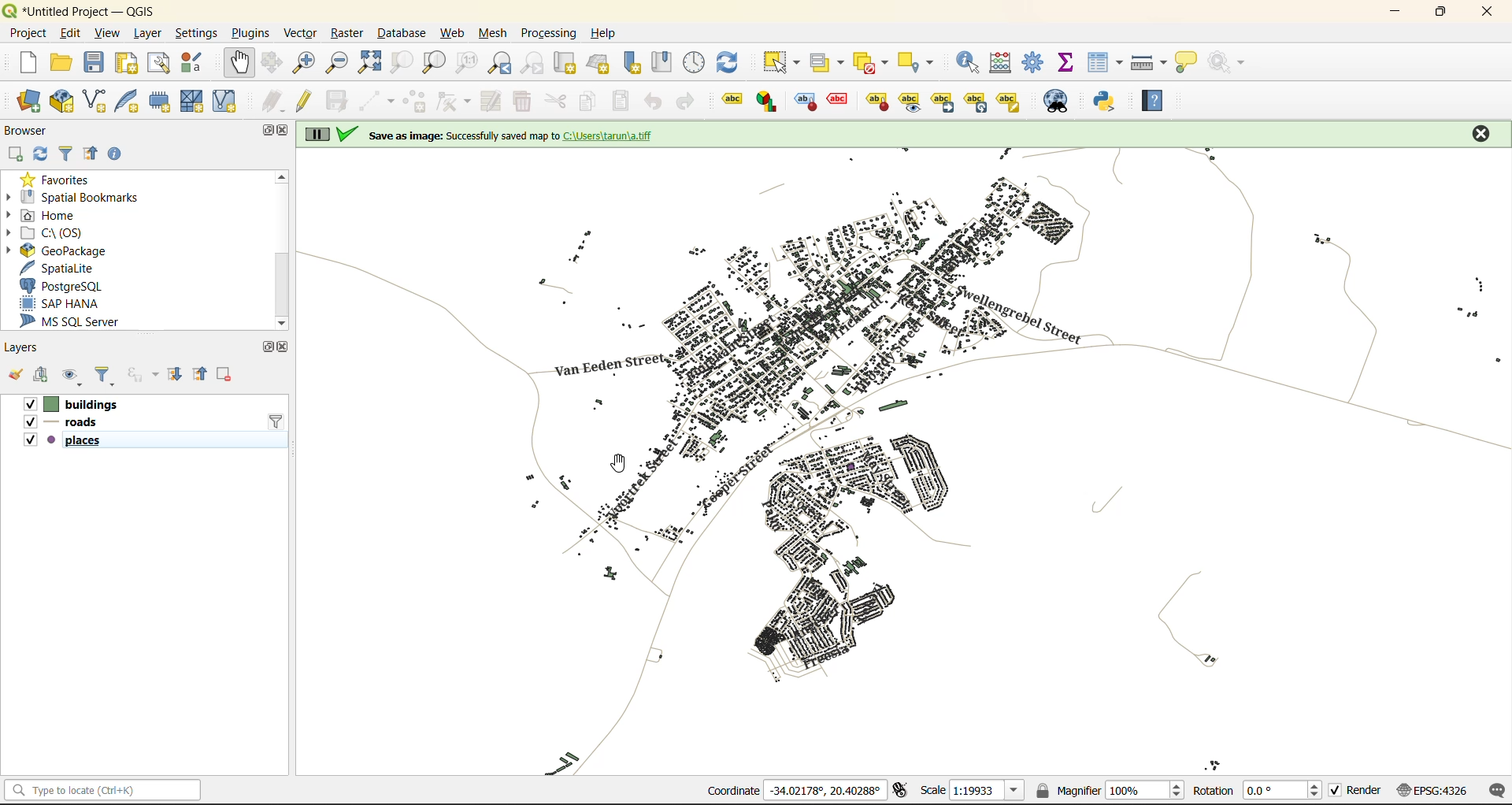  What do you see at coordinates (877, 61) in the screenshot?
I see `deselect value` at bounding box center [877, 61].